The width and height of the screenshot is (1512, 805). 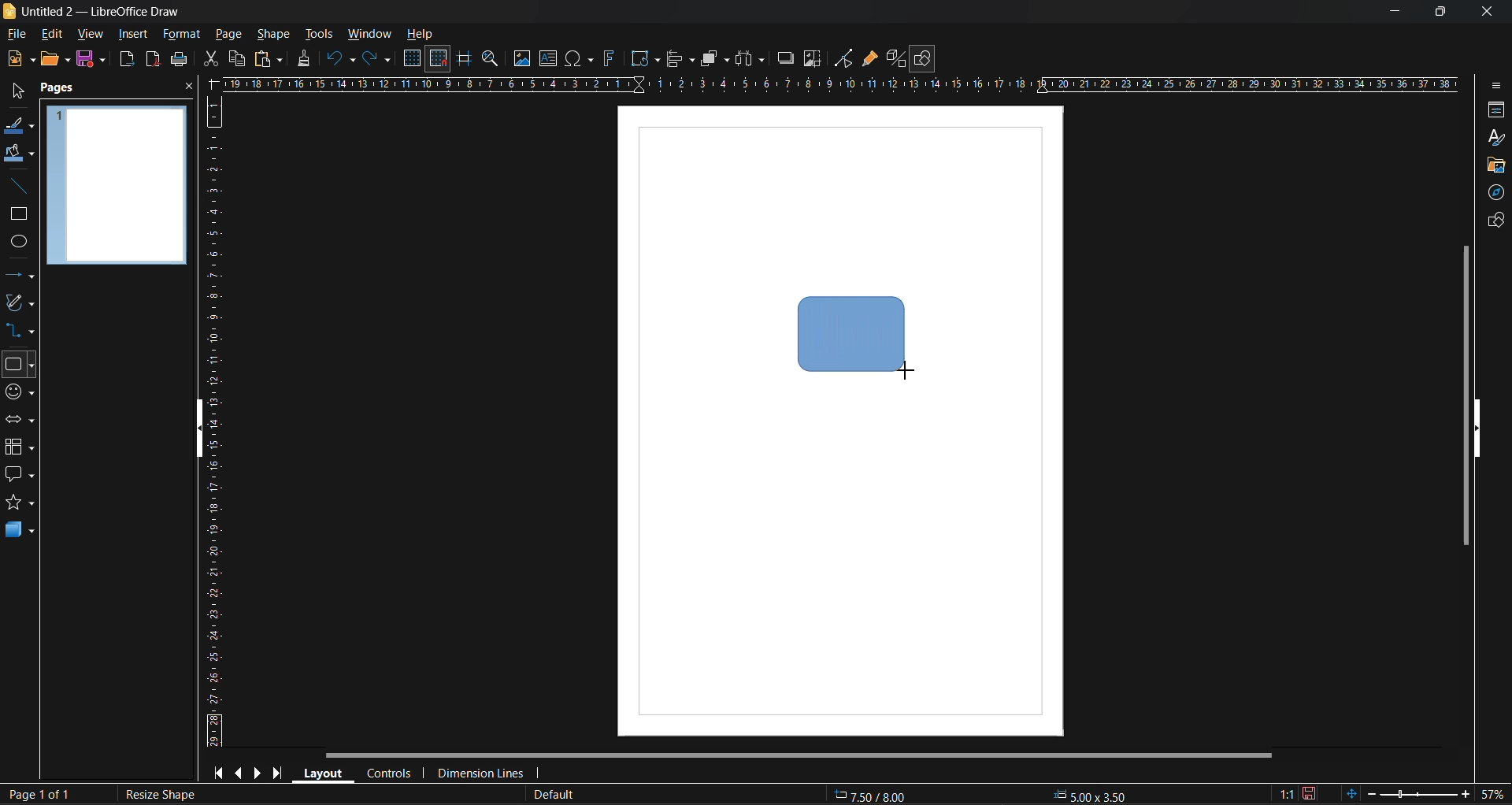 What do you see at coordinates (1369, 792) in the screenshot?
I see `zoom out` at bounding box center [1369, 792].